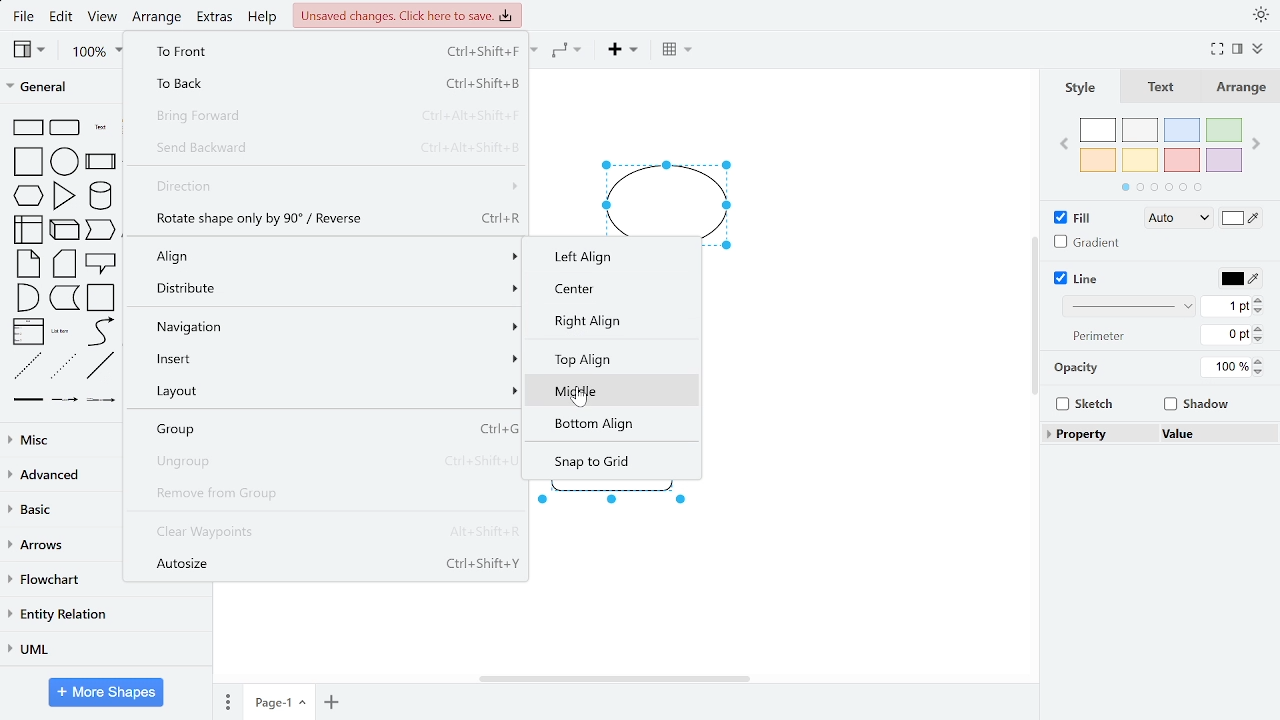 The image size is (1280, 720). Describe the element at coordinates (60, 475) in the screenshot. I see `advanced` at that location.